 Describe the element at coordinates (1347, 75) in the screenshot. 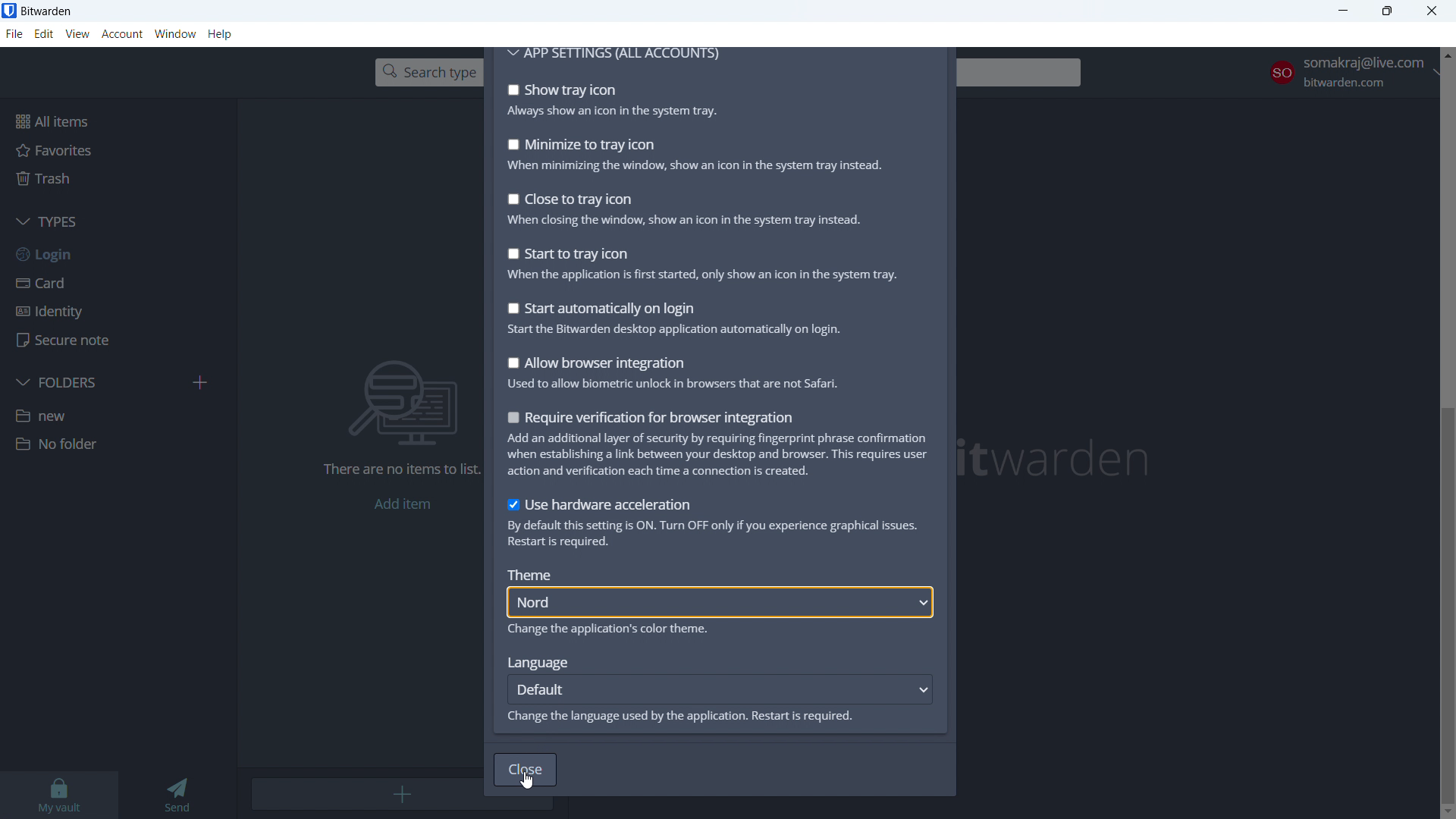

I see `account` at that location.